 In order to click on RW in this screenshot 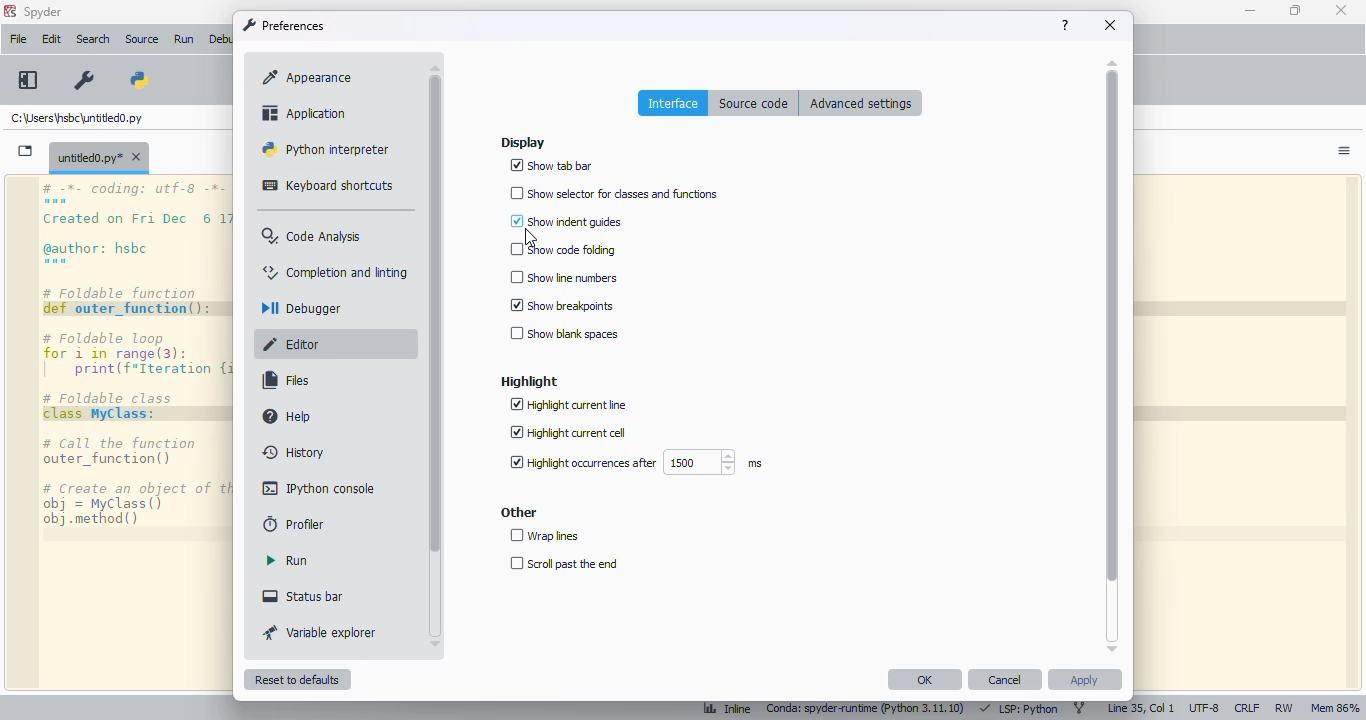, I will do `click(1284, 709)`.